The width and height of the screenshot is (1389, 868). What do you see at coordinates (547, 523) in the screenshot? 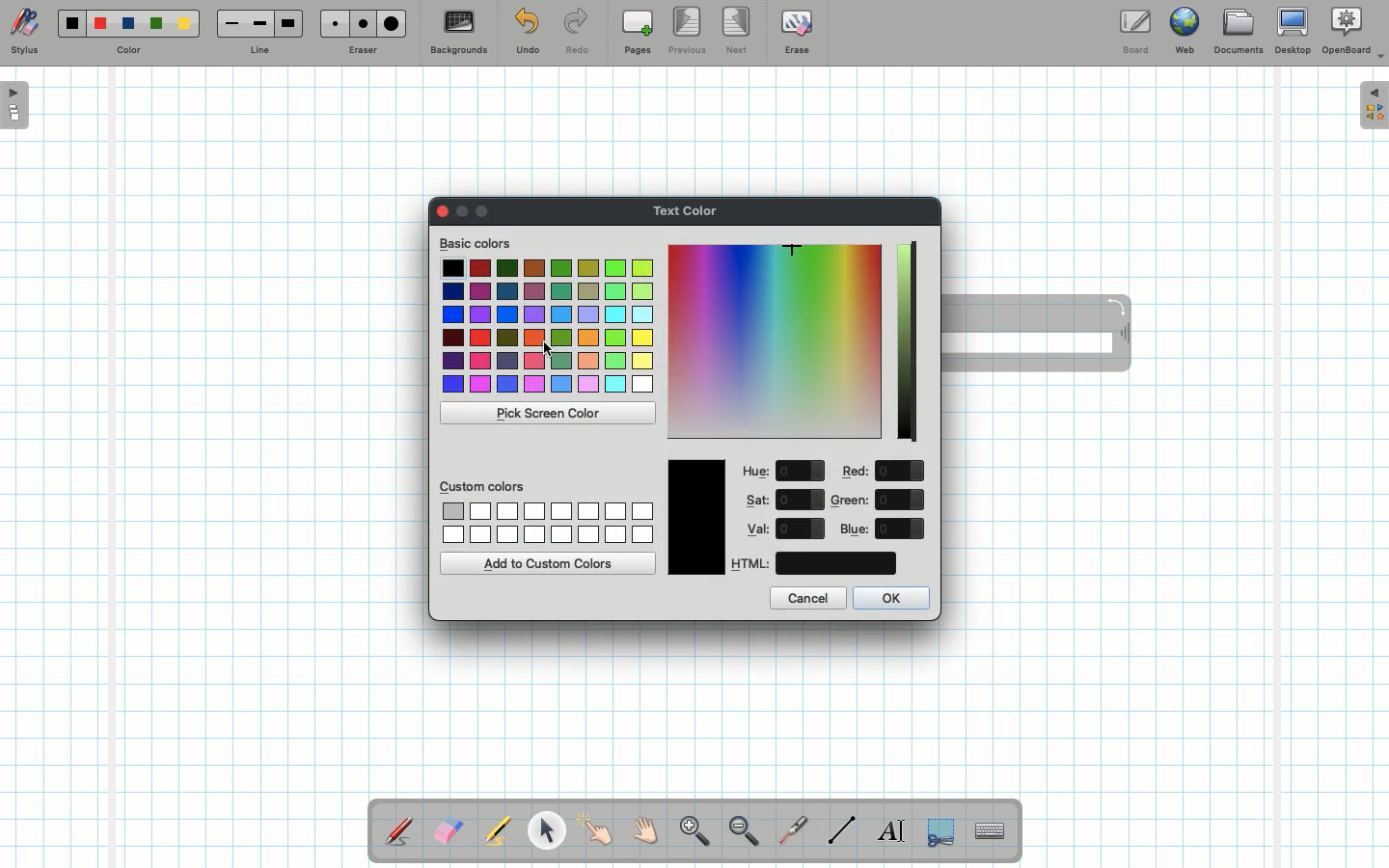
I see `Custom colors` at bounding box center [547, 523].